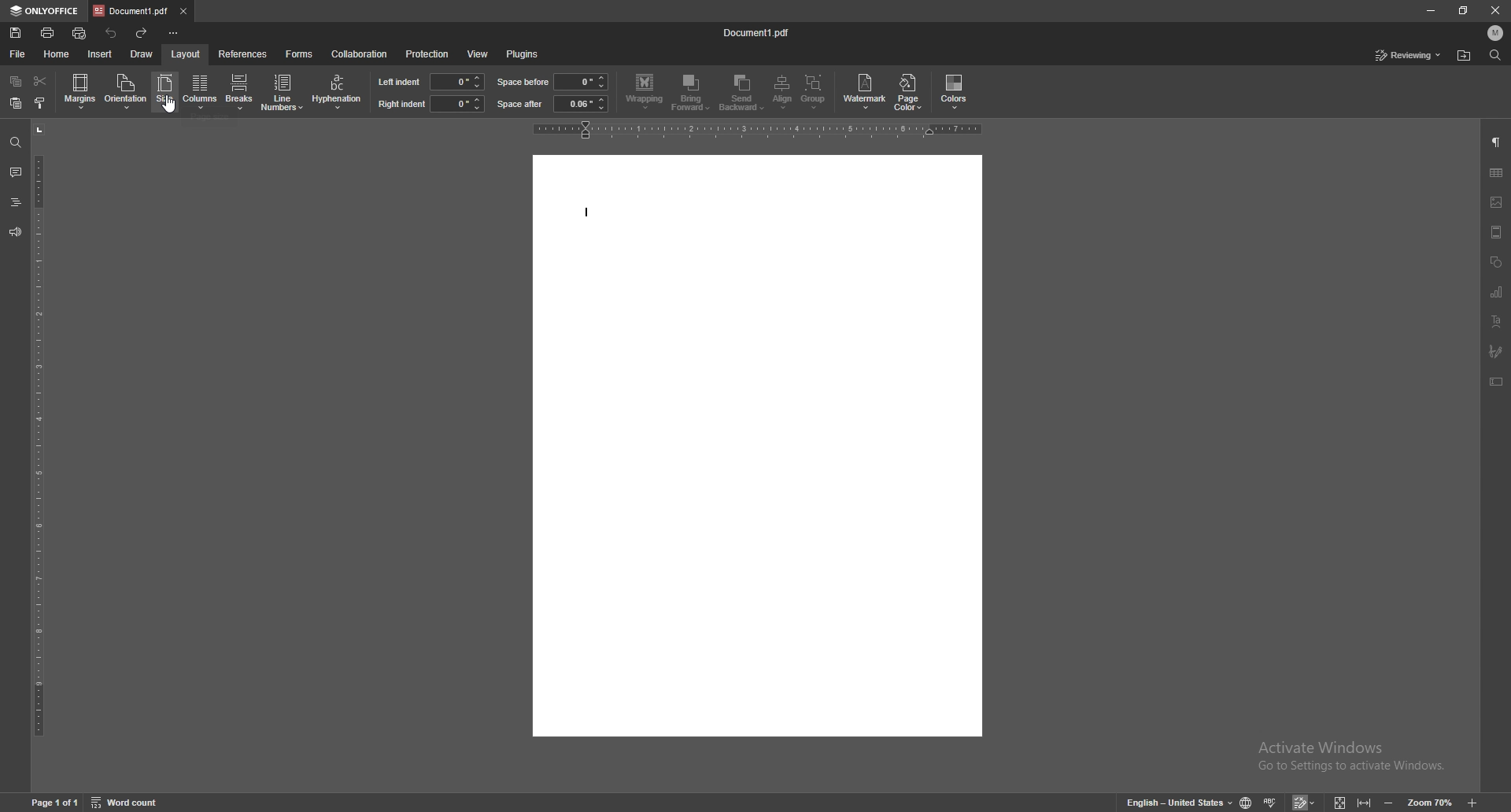  I want to click on find, so click(1496, 55).